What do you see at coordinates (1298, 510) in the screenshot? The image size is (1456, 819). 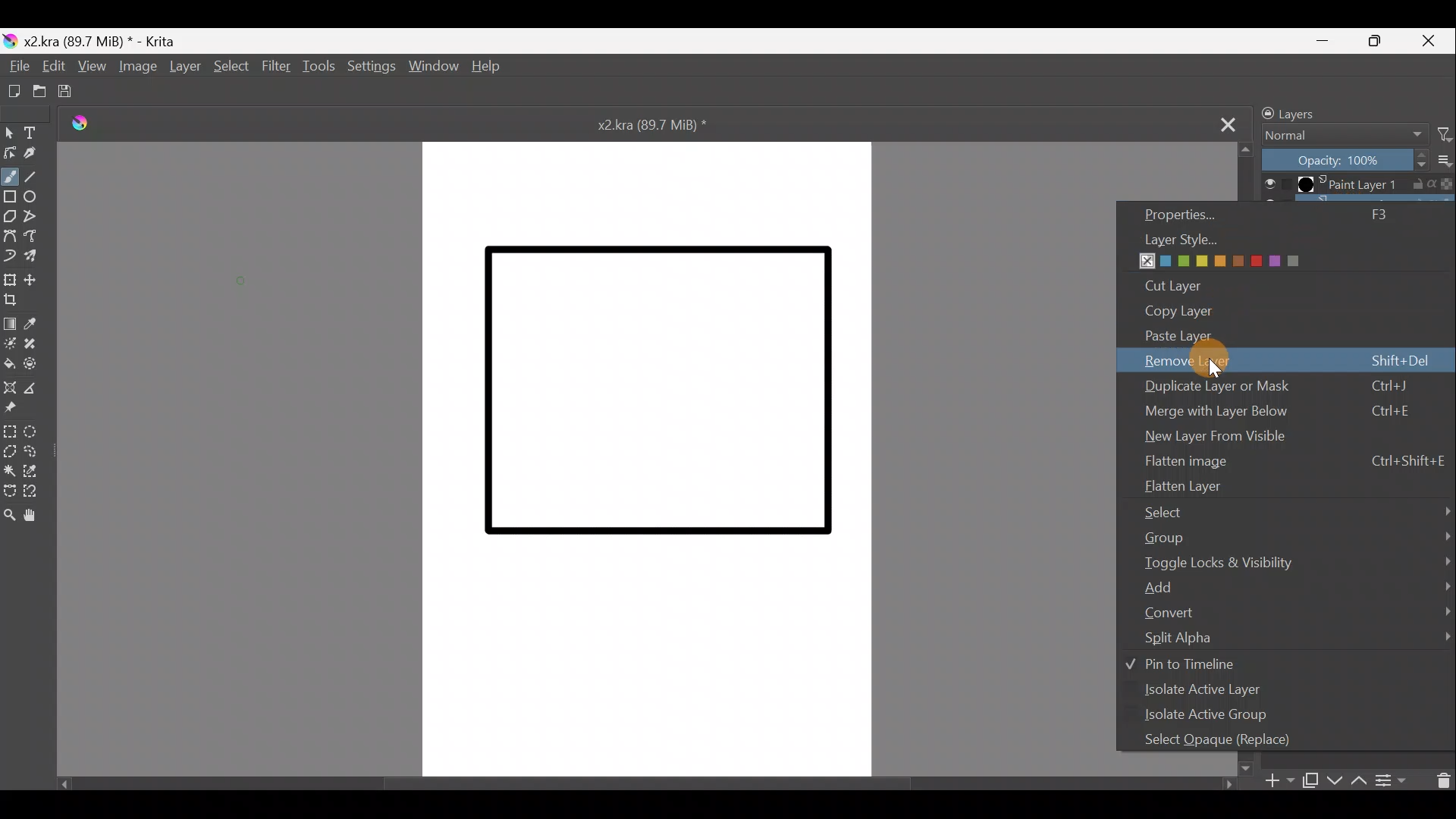 I see `Select` at bounding box center [1298, 510].